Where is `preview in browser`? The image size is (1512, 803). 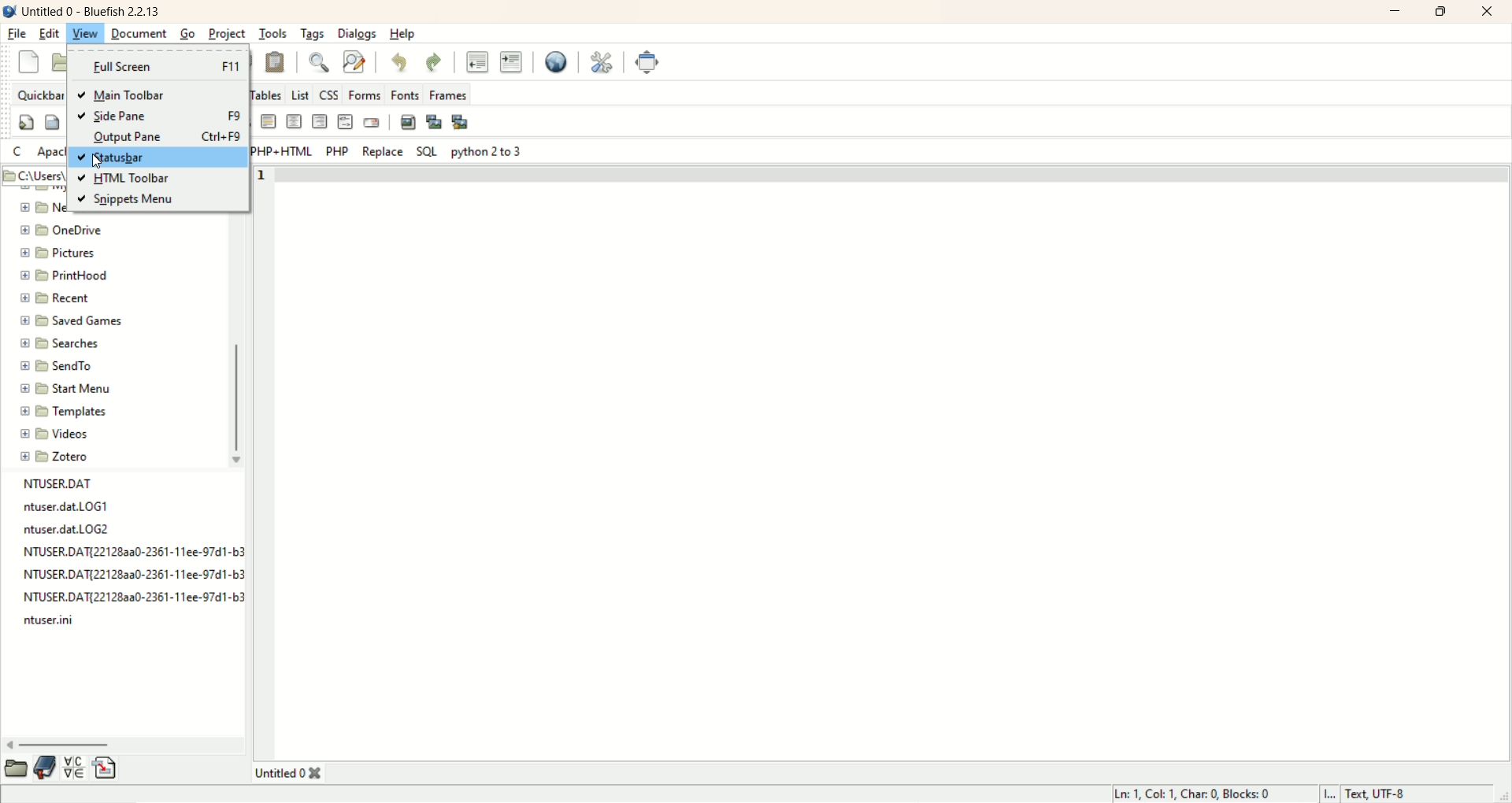
preview in browser is located at coordinates (557, 63).